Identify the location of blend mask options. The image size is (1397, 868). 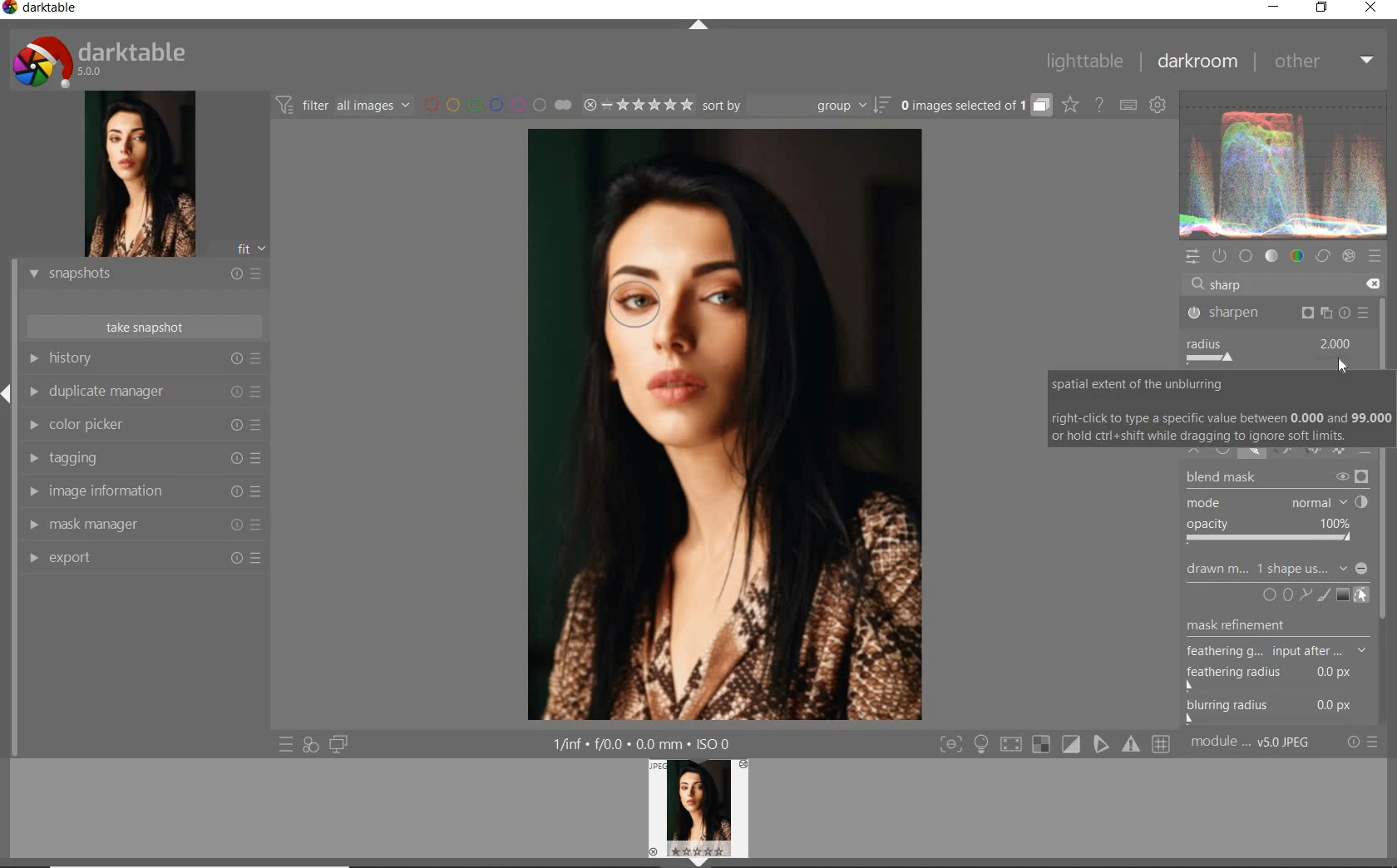
(1276, 509).